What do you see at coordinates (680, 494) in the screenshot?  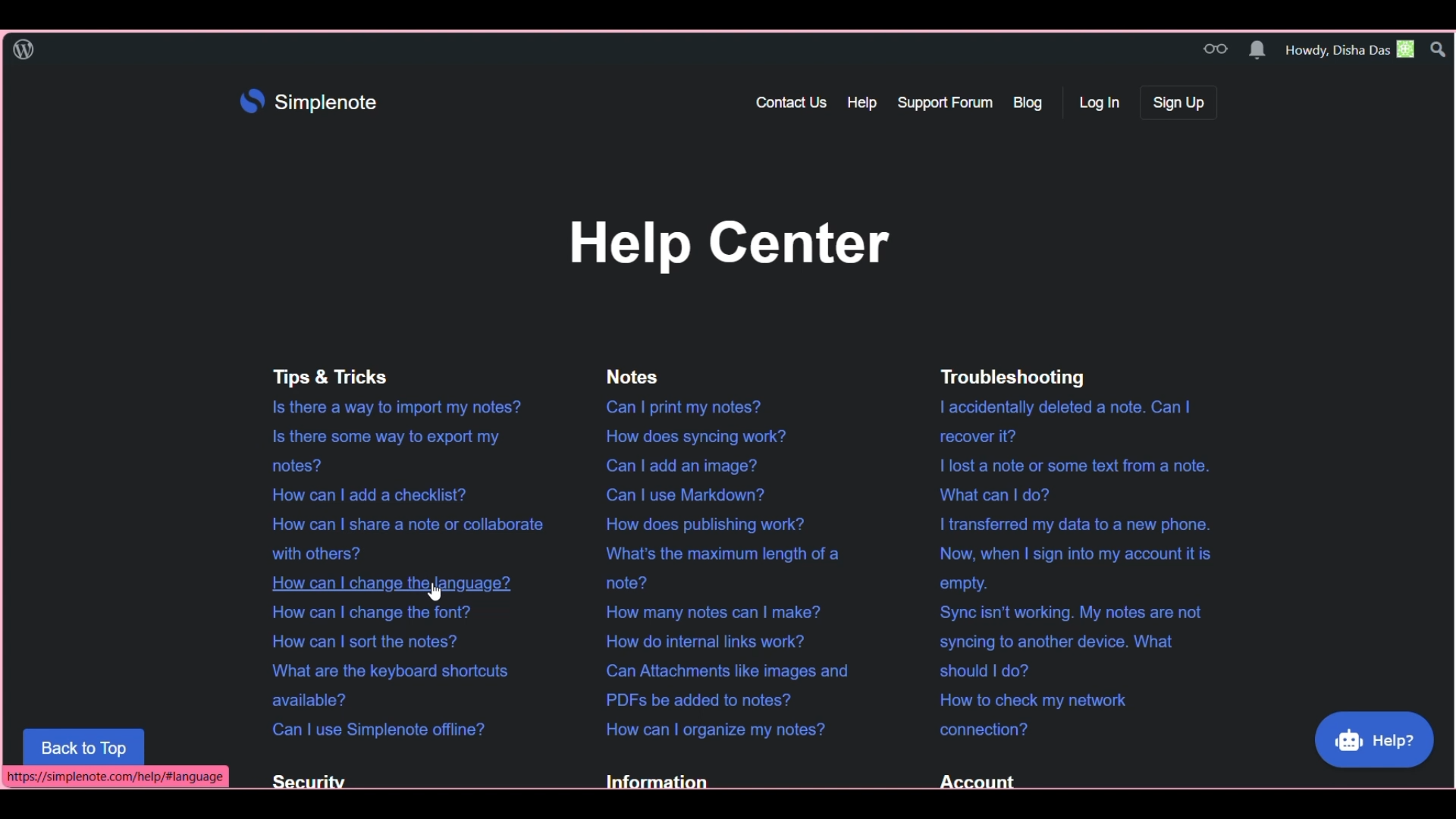 I see `Can | use Markdown?` at bounding box center [680, 494].